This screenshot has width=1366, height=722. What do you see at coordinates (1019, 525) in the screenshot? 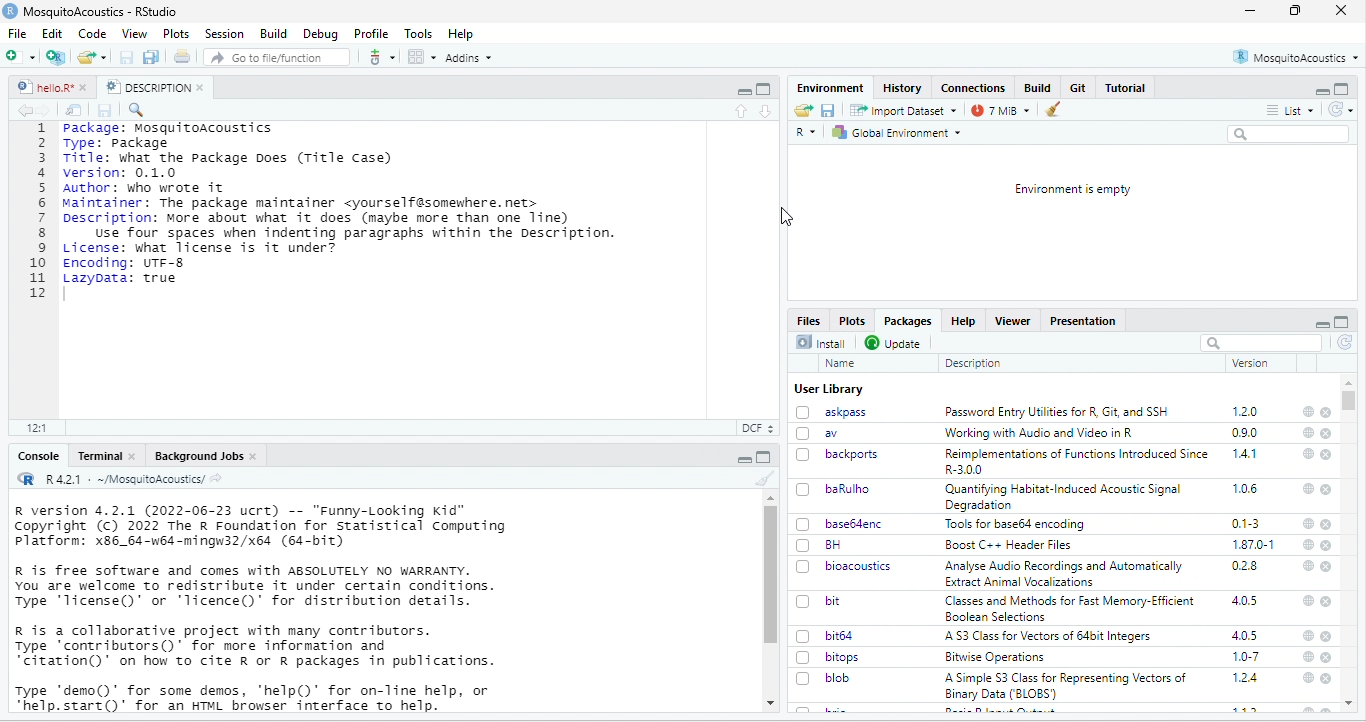
I see `Tools for base64 encoding` at bounding box center [1019, 525].